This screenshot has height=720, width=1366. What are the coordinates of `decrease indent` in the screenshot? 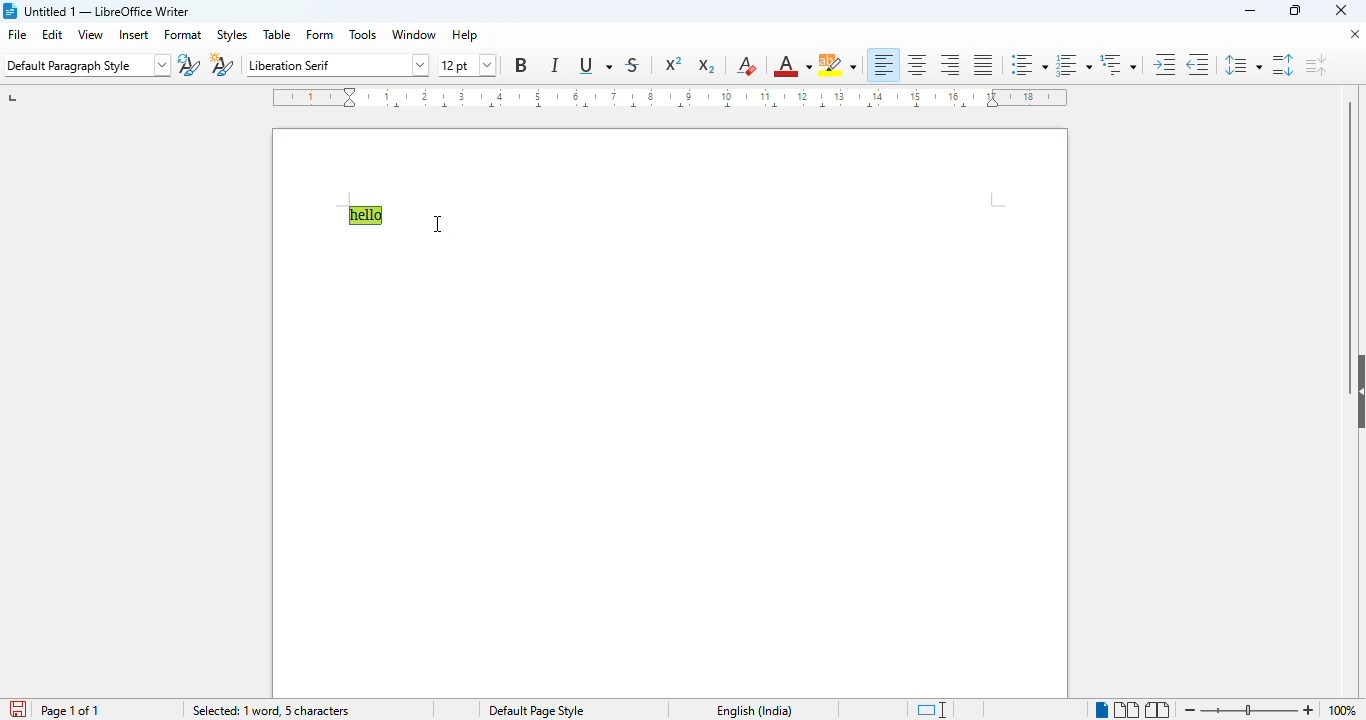 It's located at (1197, 64).